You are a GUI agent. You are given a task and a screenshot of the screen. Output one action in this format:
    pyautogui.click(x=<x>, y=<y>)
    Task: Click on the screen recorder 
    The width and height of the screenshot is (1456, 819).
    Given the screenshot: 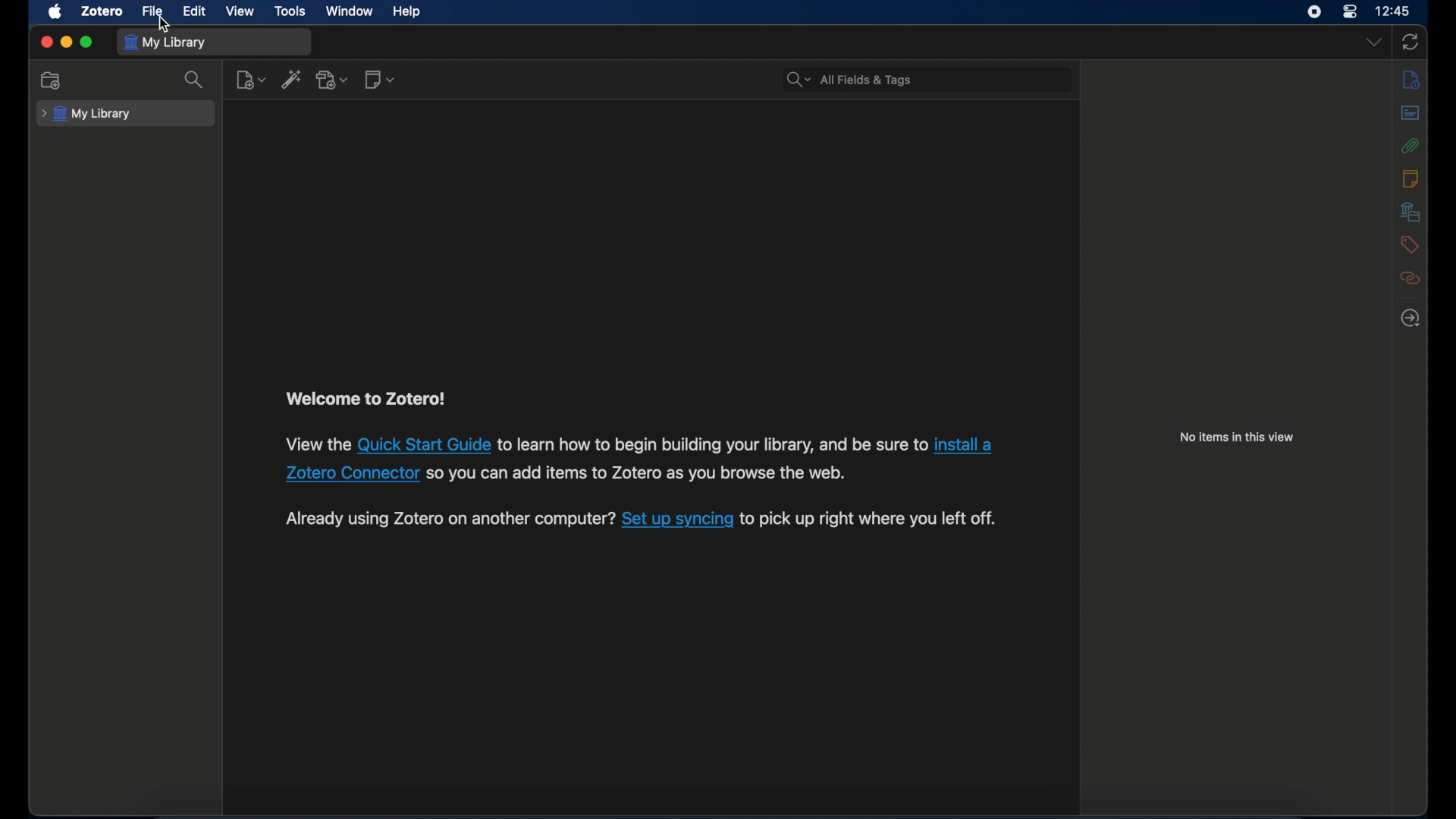 What is the action you would take?
    pyautogui.click(x=1312, y=12)
    